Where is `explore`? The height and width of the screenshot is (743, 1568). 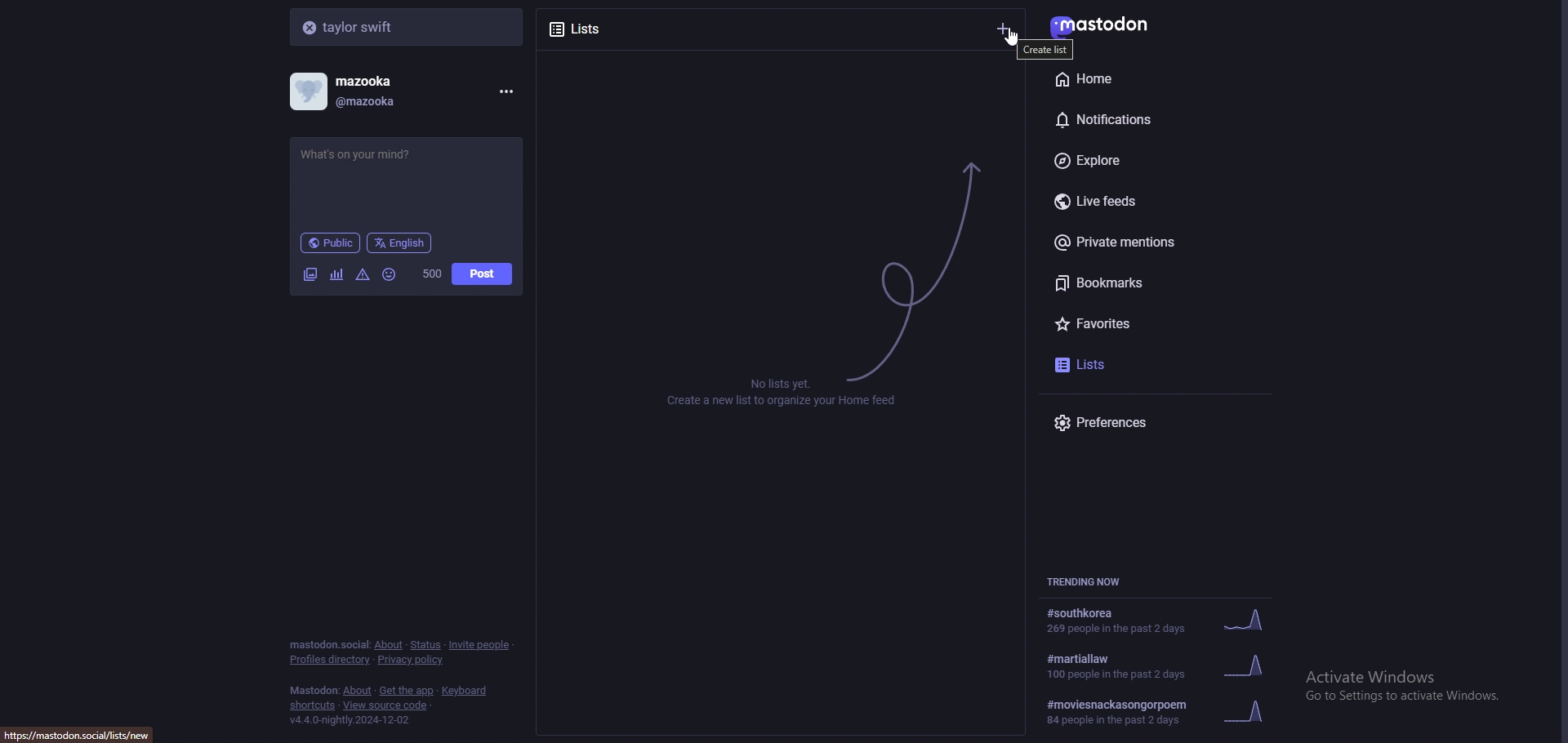 explore is located at coordinates (1150, 162).